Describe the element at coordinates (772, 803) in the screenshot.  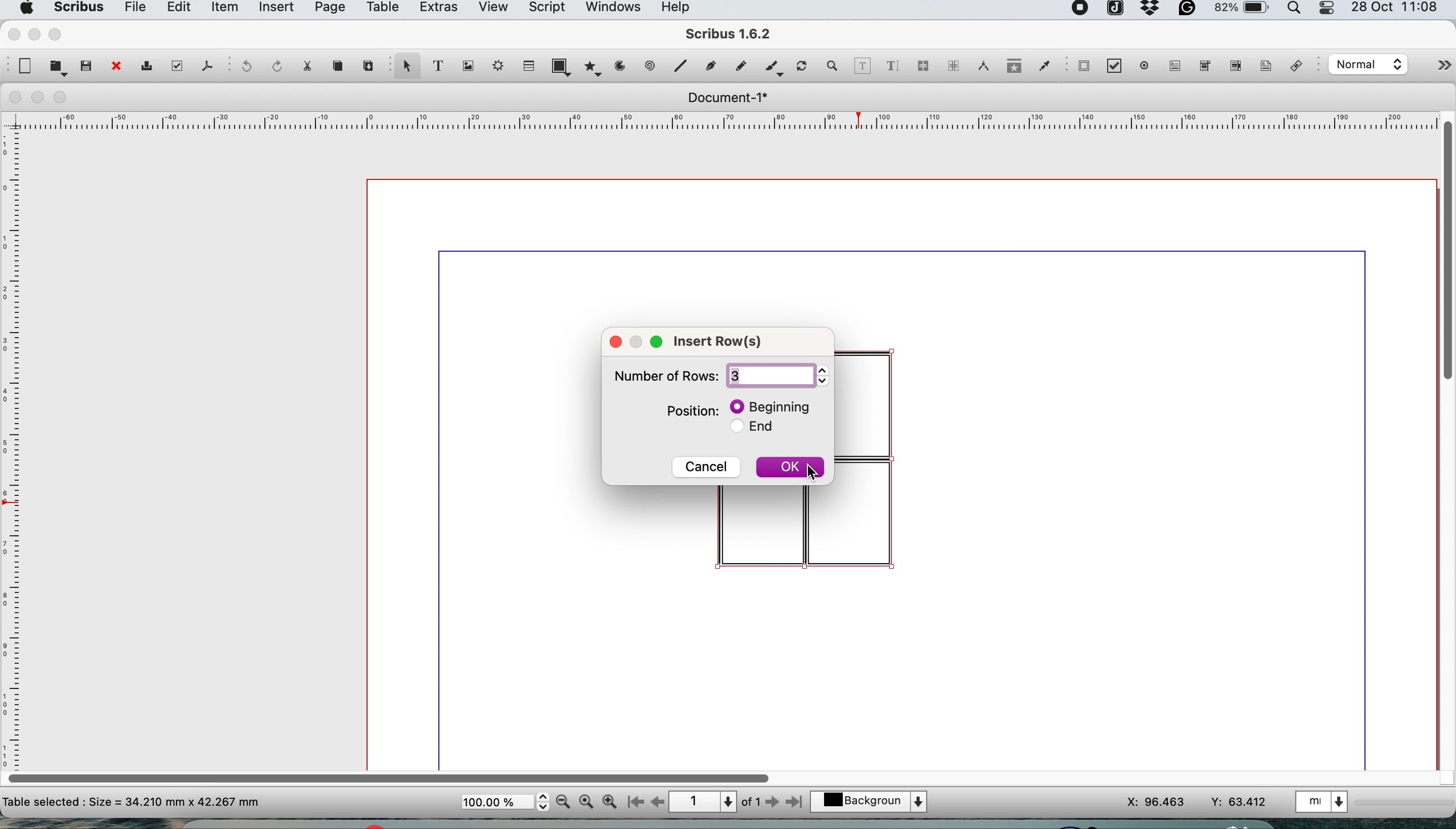
I see `go to next page` at that location.